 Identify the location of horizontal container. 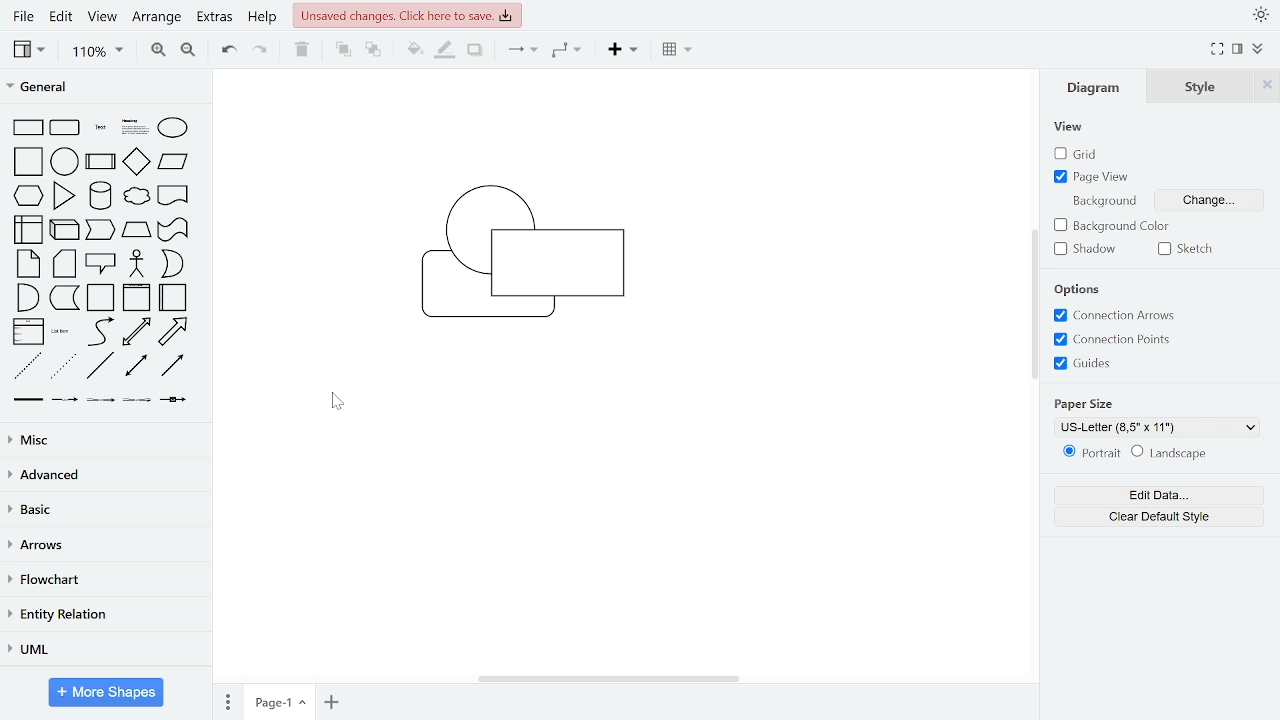
(172, 298).